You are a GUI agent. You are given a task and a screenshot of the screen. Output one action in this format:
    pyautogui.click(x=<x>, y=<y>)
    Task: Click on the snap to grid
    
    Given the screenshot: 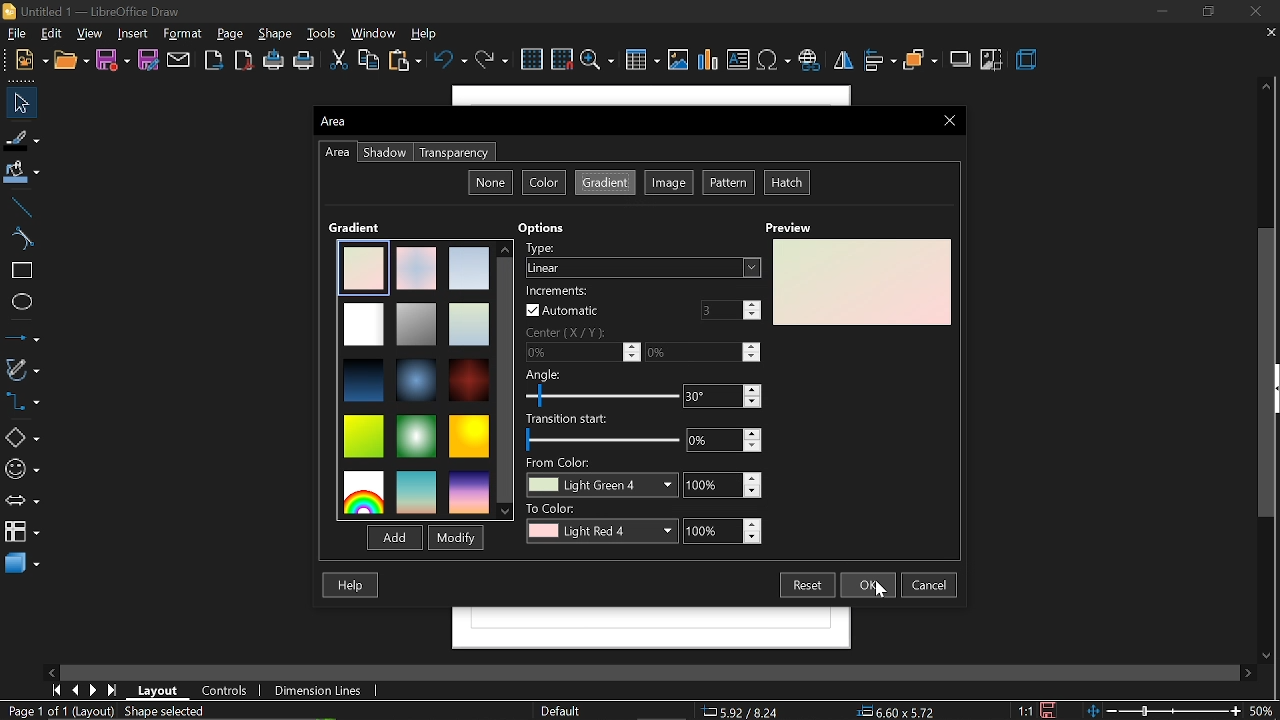 What is the action you would take?
    pyautogui.click(x=562, y=61)
    